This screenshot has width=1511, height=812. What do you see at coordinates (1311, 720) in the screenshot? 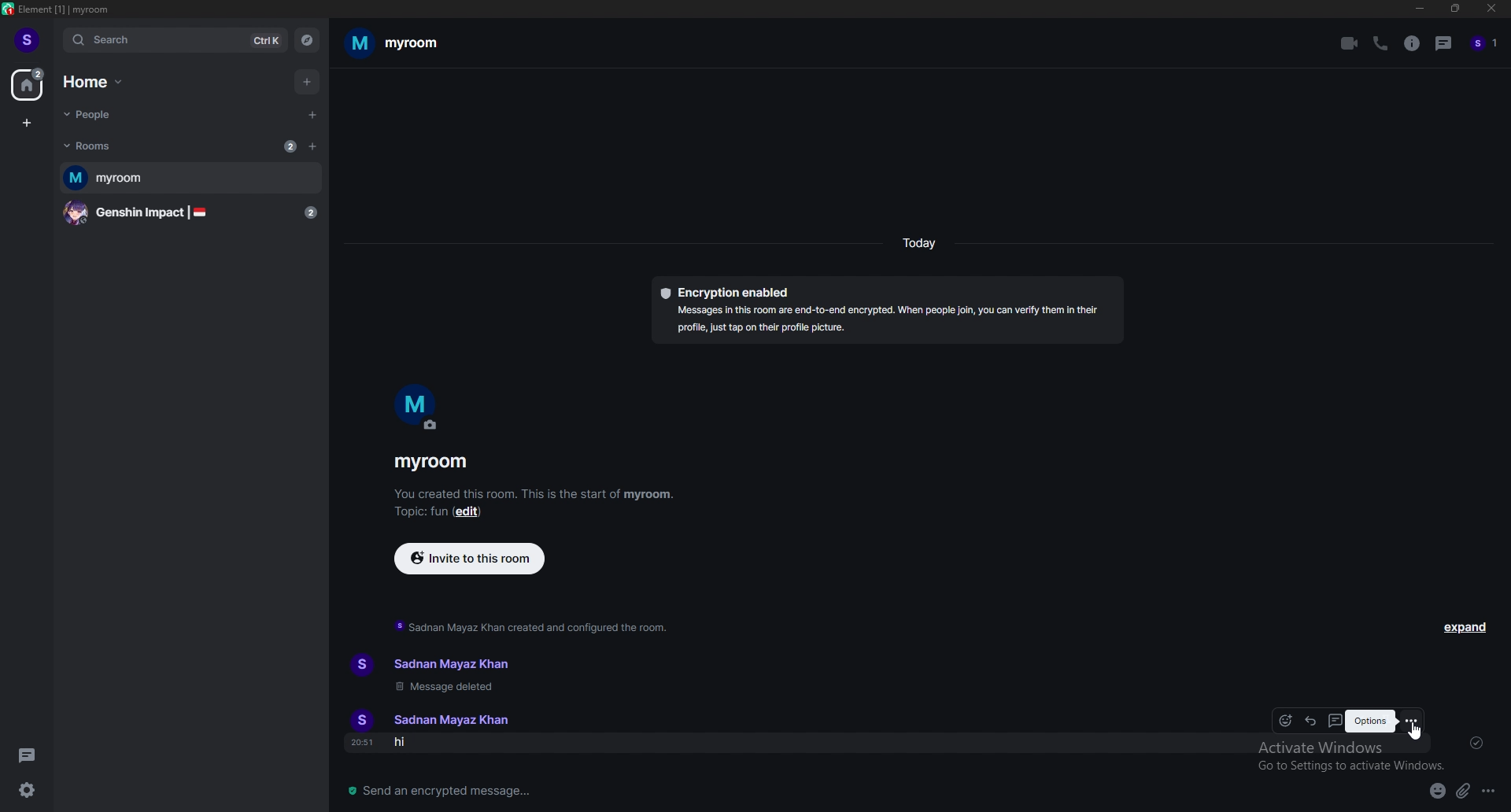
I see `reply` at bounding box center [1311, 720].